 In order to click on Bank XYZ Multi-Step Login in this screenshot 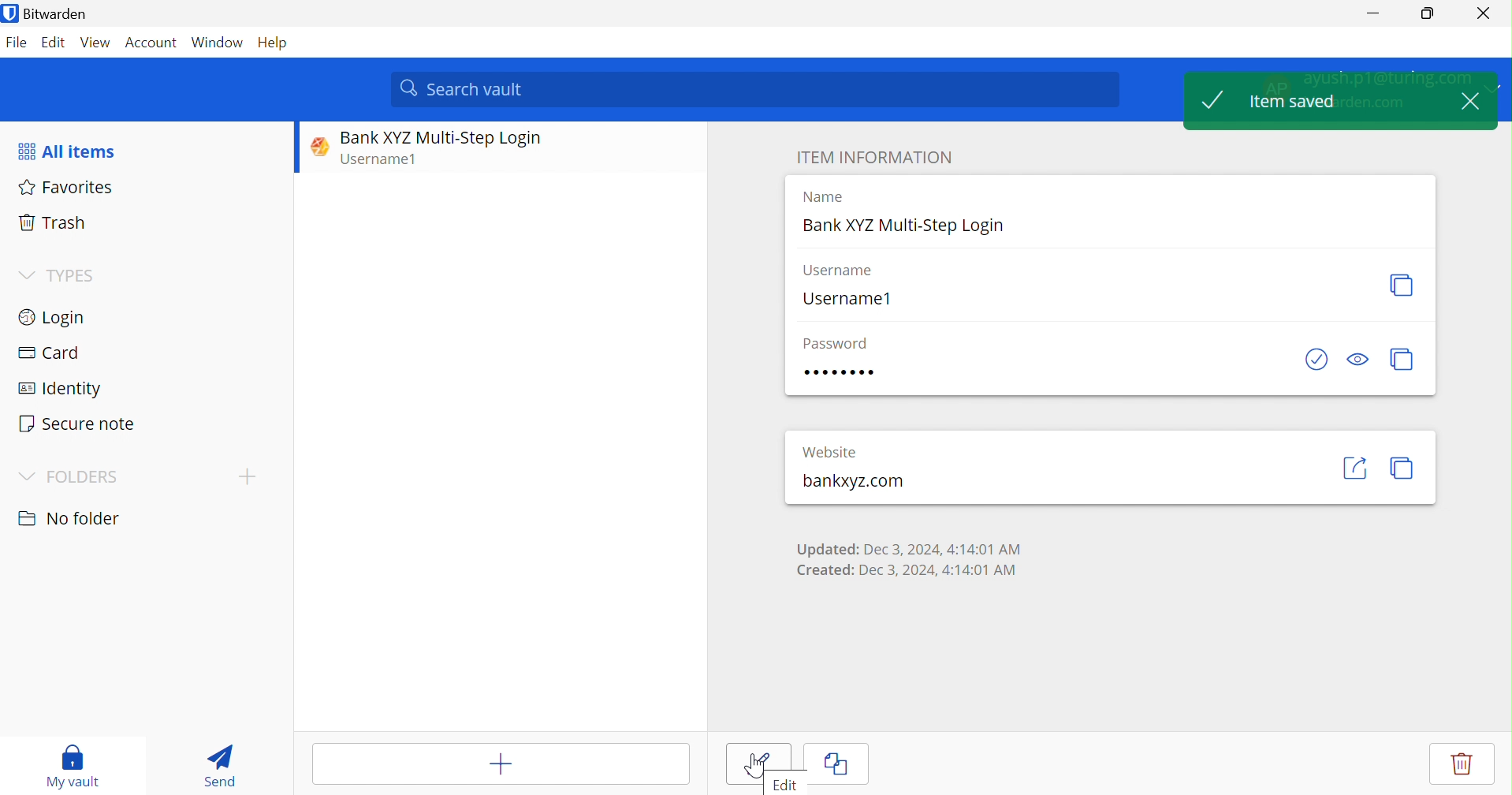, I will do `click(900, 226)`.